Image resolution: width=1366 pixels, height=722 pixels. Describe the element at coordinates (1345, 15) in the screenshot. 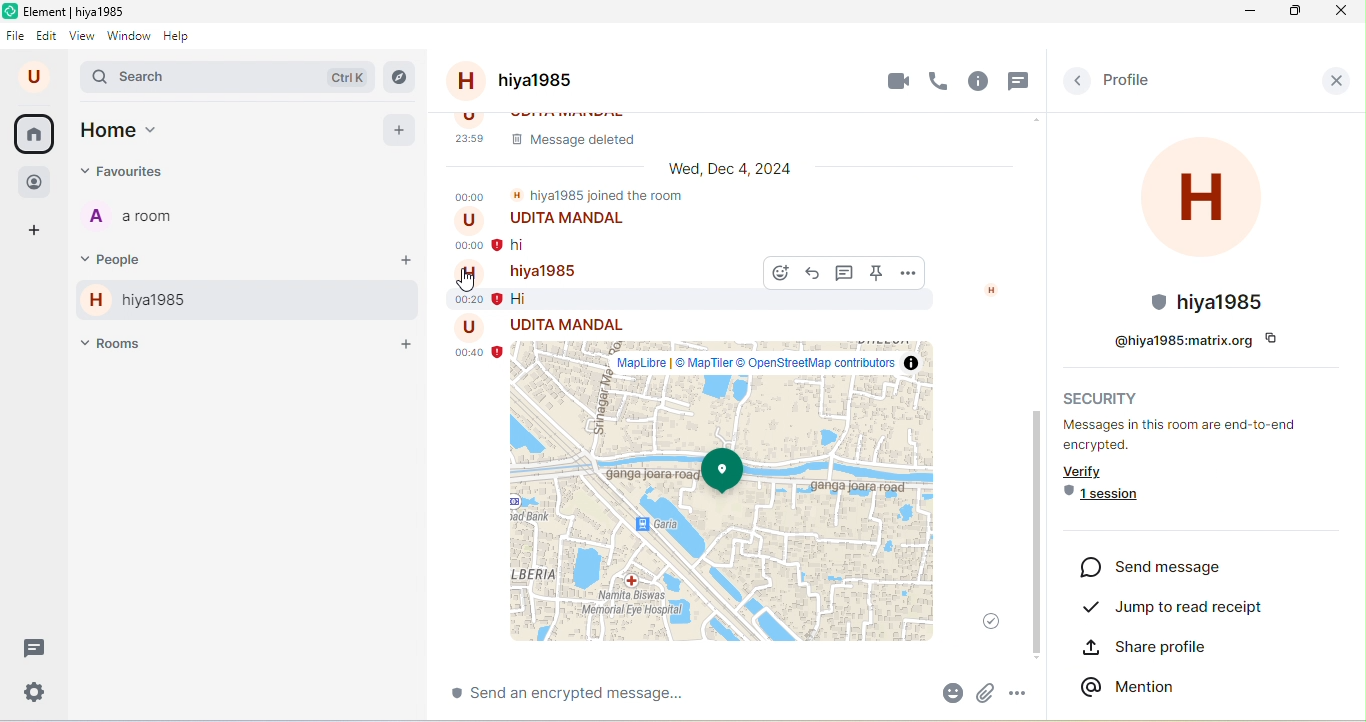

I see `close` at that location.